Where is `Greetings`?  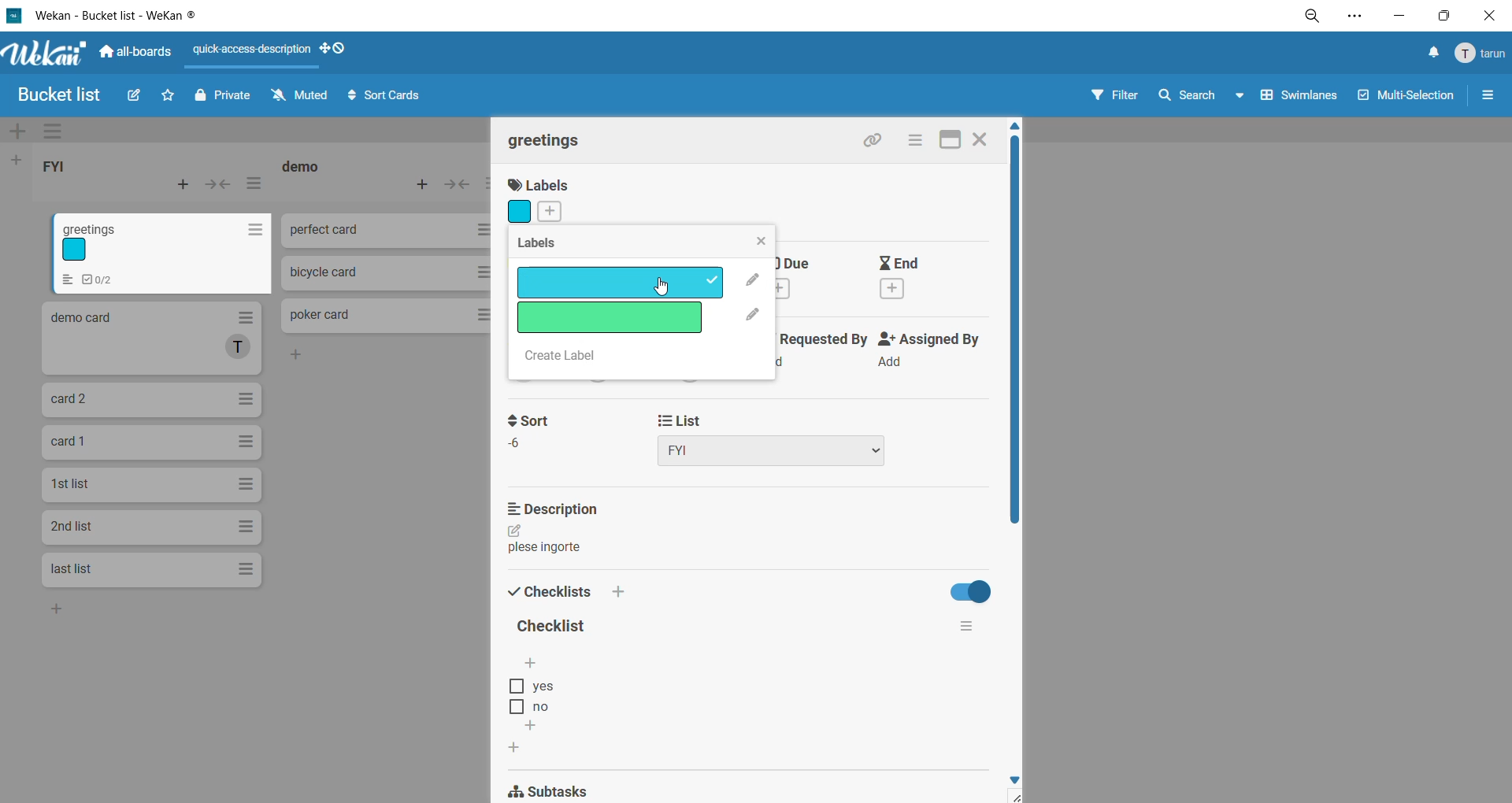
Greetings is located at coordinates (165, 255).